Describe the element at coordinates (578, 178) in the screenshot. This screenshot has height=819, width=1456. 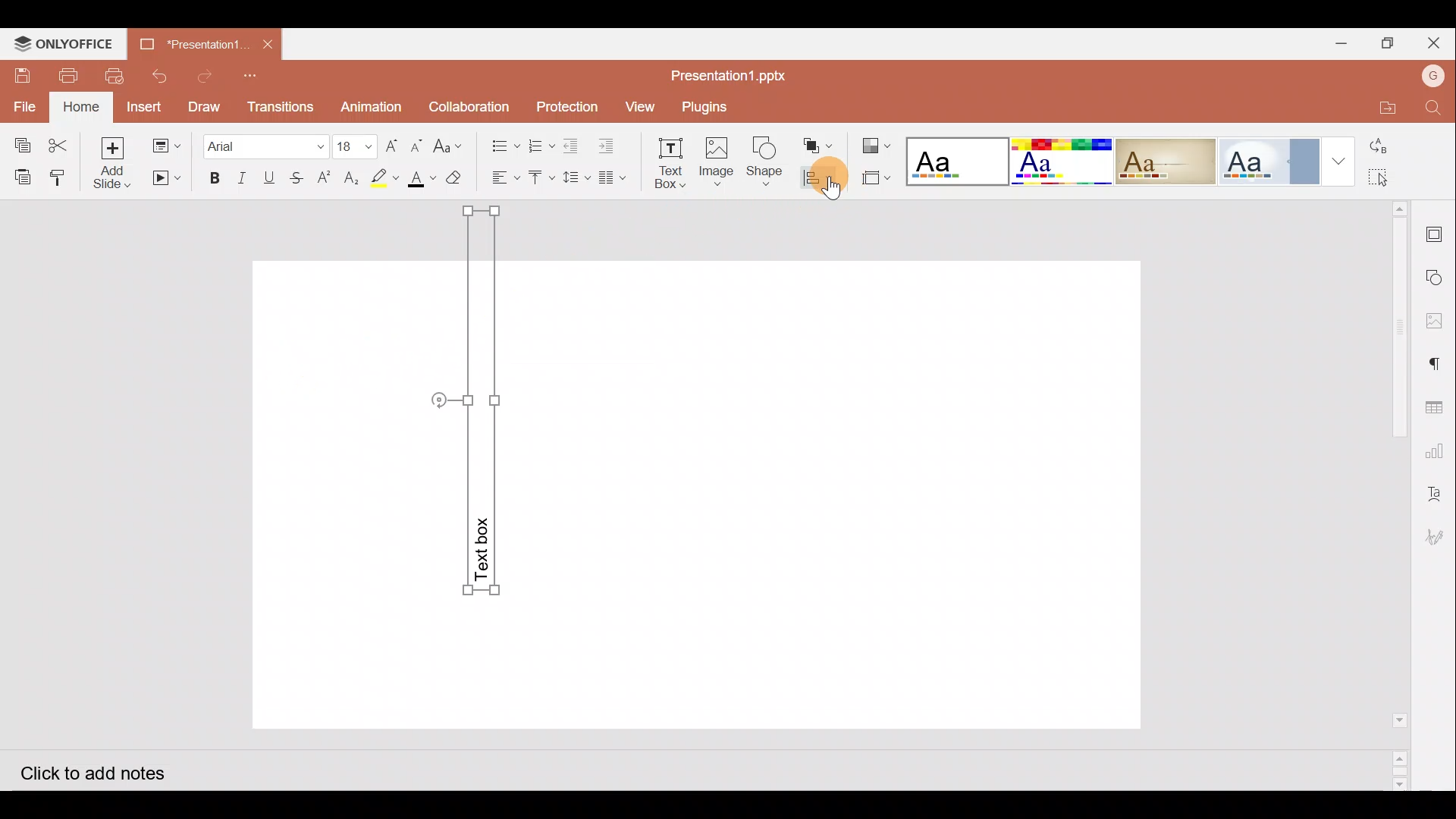
I see `Line spacing` at that location.